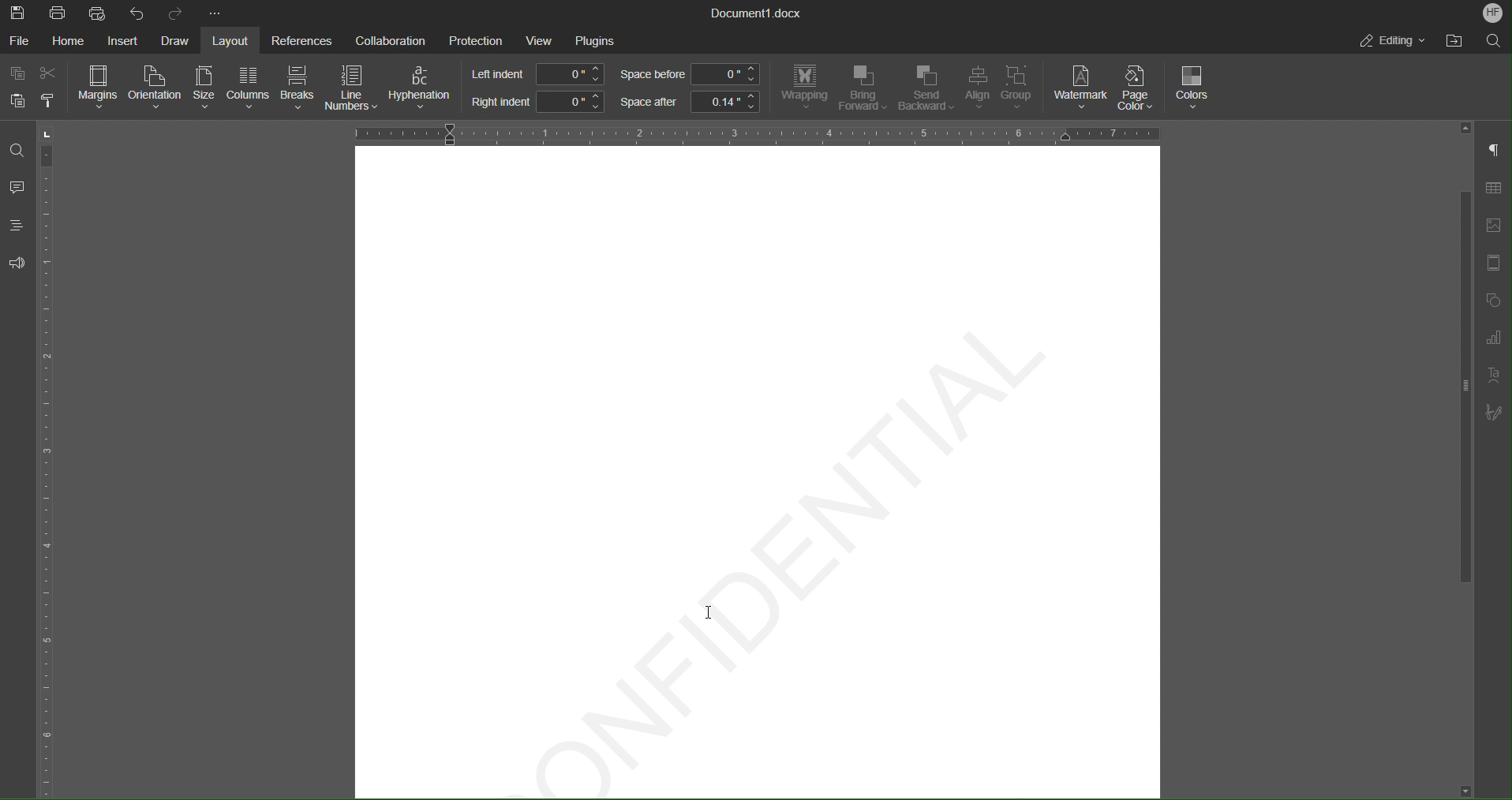 Image resolution: width=1512 pixels, height=800 pixels. I want to click on Watermark, so click(1081, 88).